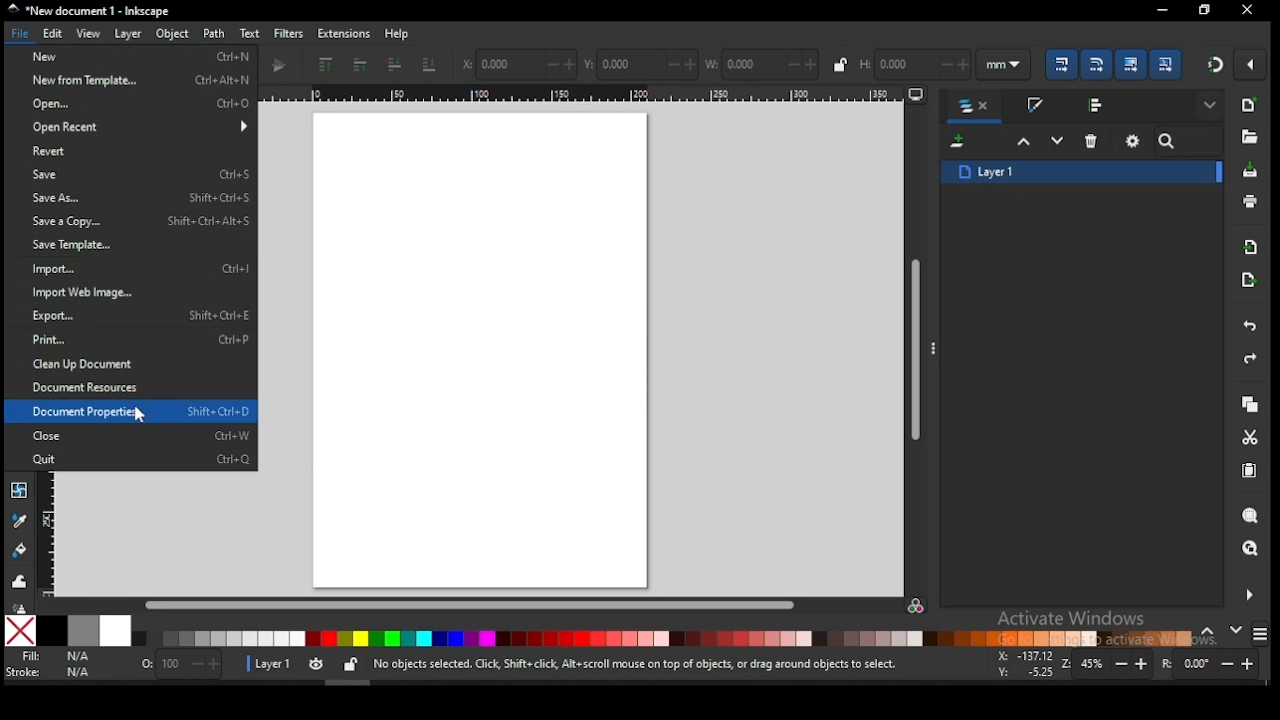 The height and width of the screenshot is (720, 1280). I want to click on layer, so click(128, 34).